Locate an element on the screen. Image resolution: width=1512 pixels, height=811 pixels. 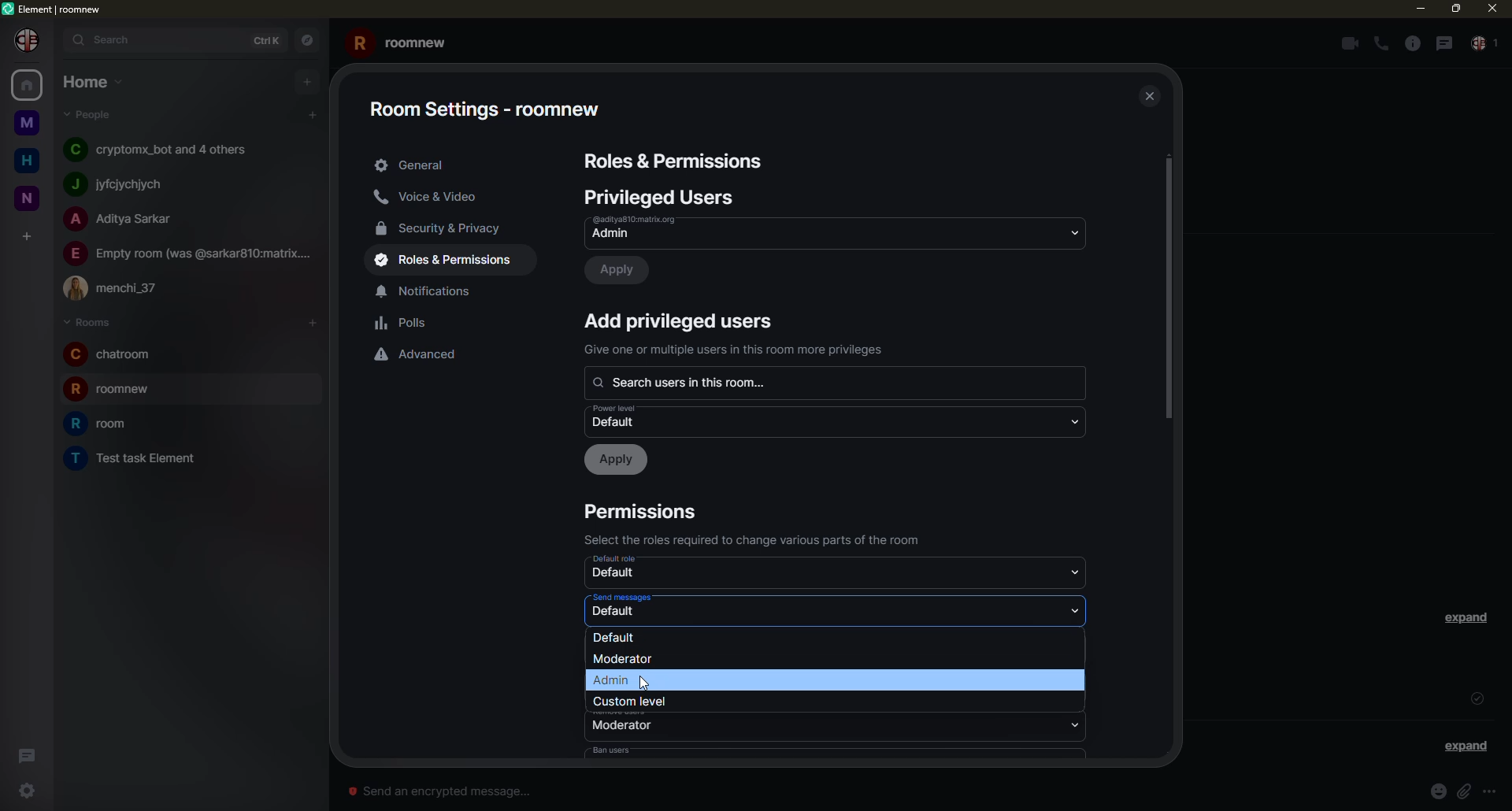
moderator is located at coordinates (622, 726).